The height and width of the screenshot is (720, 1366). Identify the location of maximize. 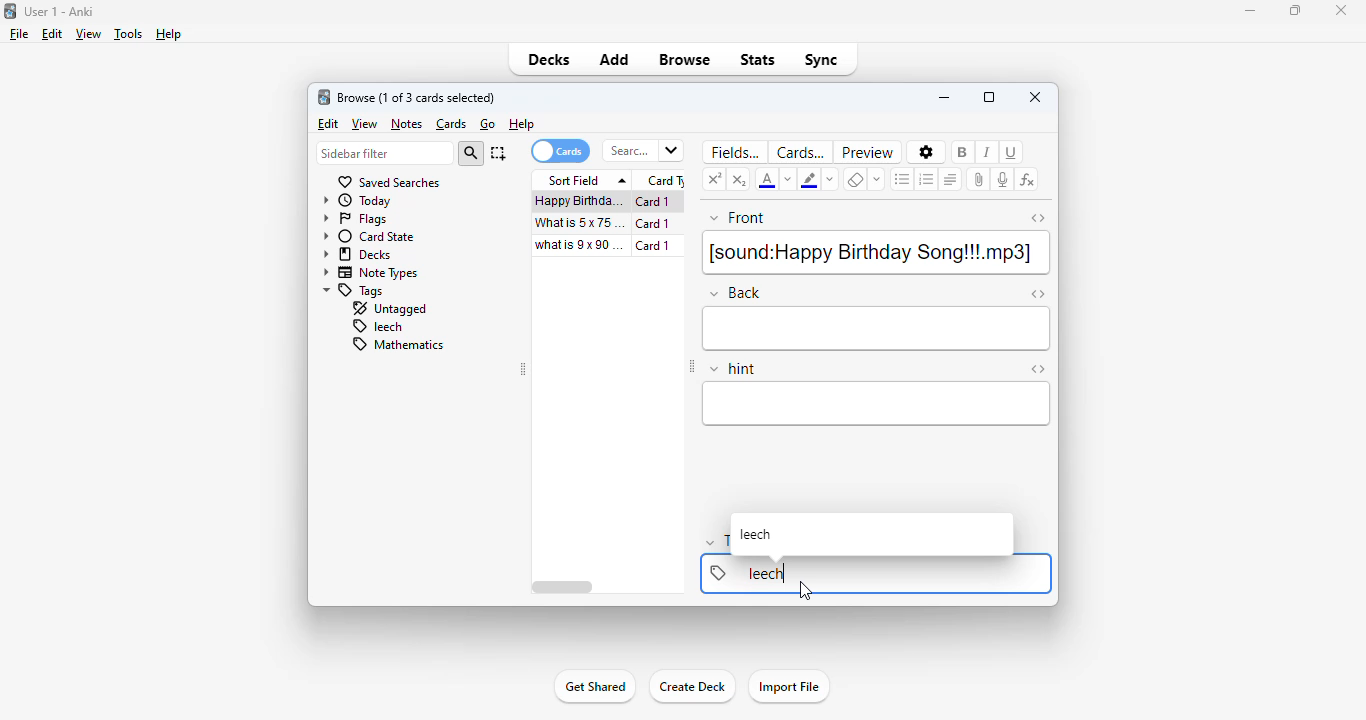
(1297, 10).